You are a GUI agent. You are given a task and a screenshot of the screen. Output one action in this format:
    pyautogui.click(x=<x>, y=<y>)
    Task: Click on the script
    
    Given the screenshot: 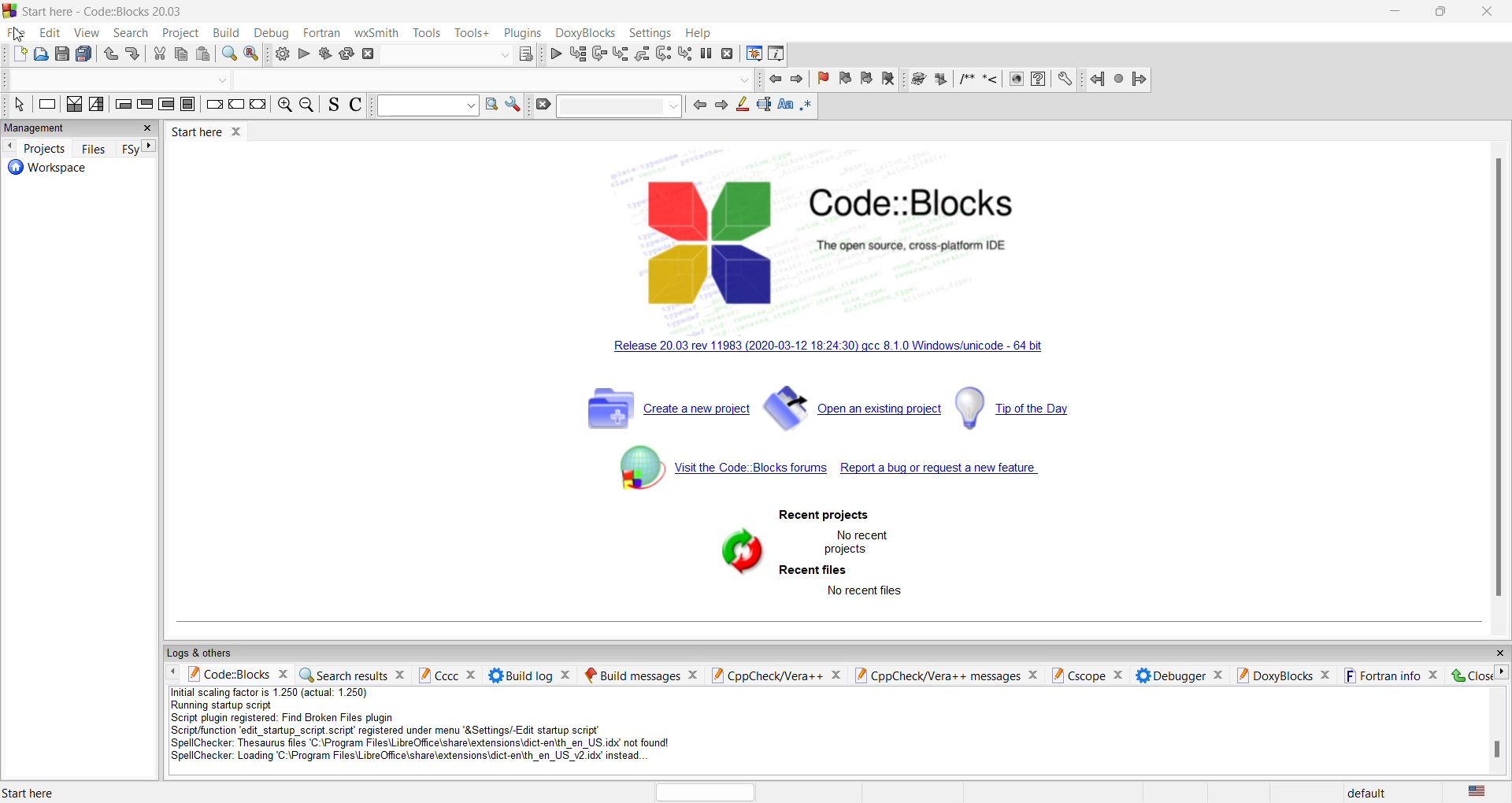 What is the action you would take?
    pyautogui.click(x=441, y=728)
    